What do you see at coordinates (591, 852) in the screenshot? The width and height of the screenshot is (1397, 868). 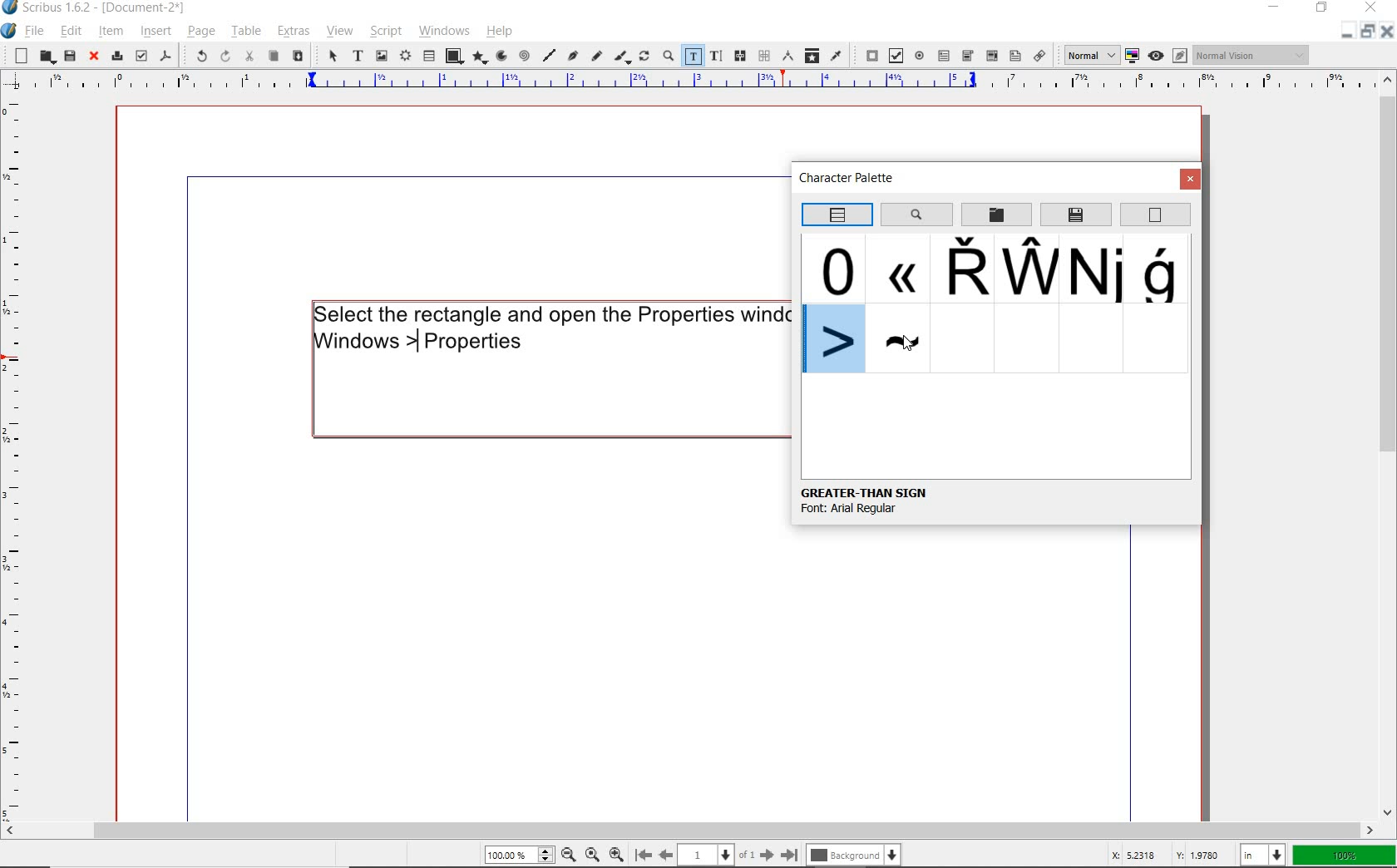 I see `default zoom` at bounding box center [591, 852].